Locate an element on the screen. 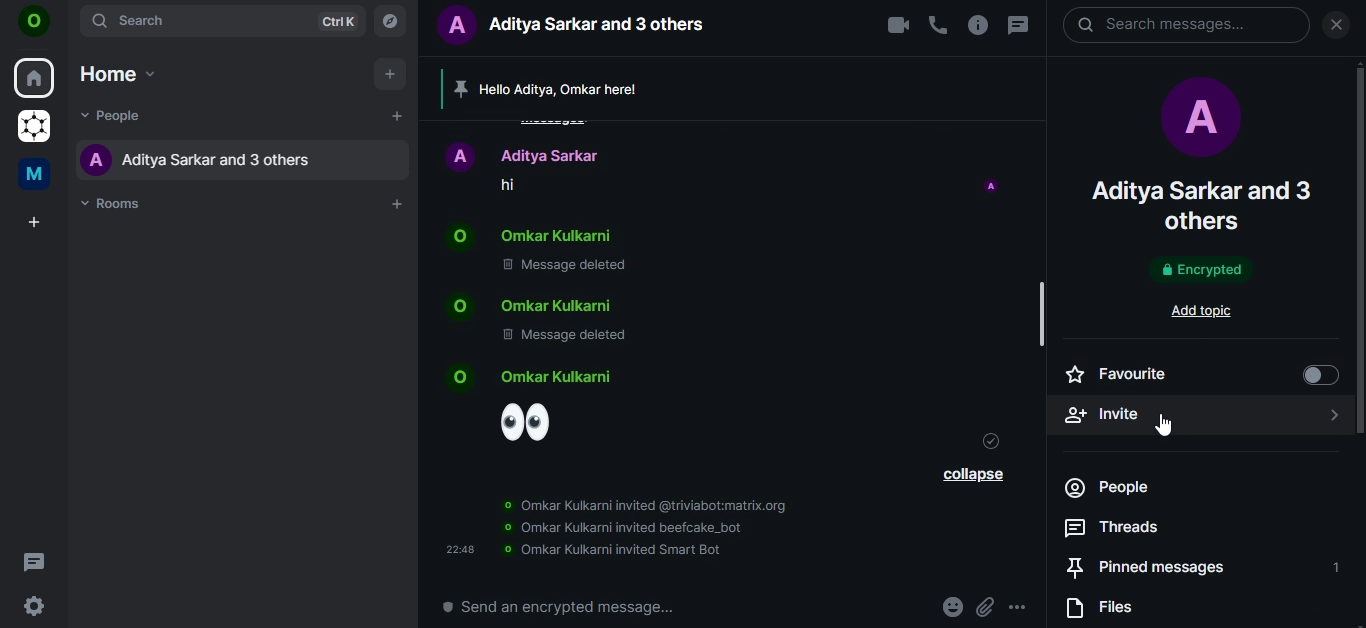 This screenshot has height=628, width=1366. add is located at coordinates (397, 118).